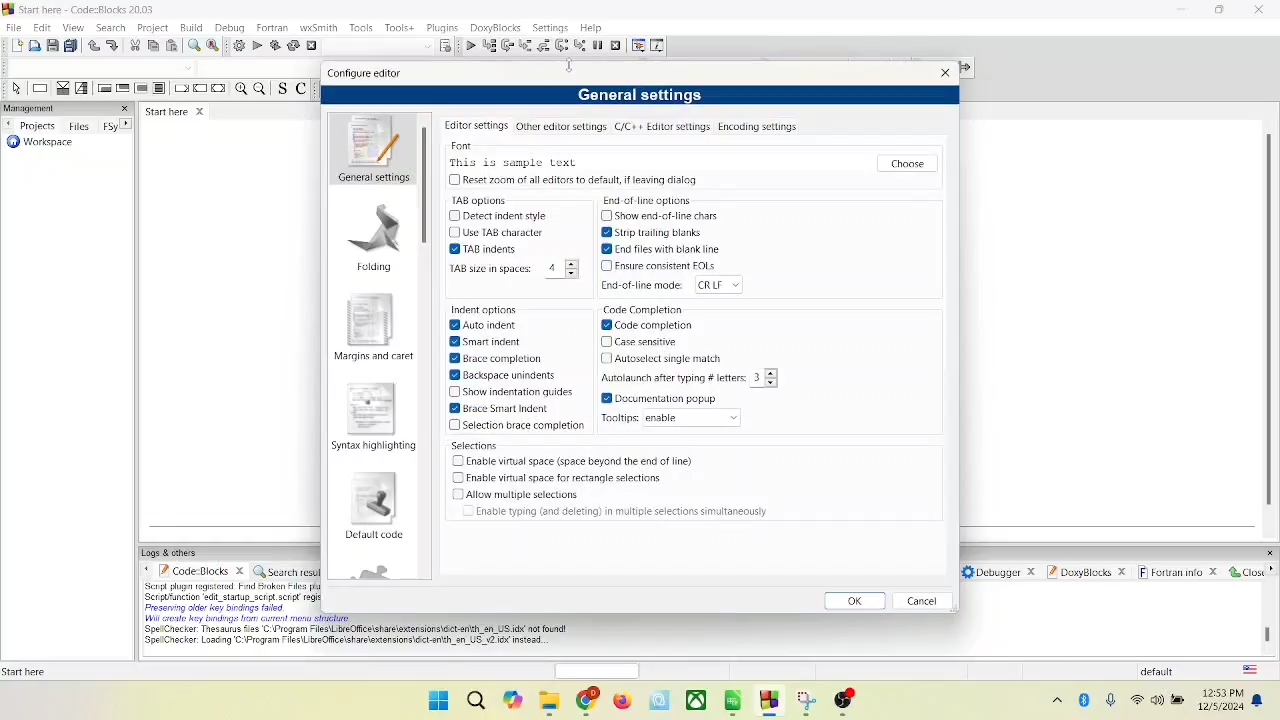 The width and height of the screenshot is (1280, 720). Describe the element at coordinates (230, 27) in the screenshot. I see `debug` at that location.